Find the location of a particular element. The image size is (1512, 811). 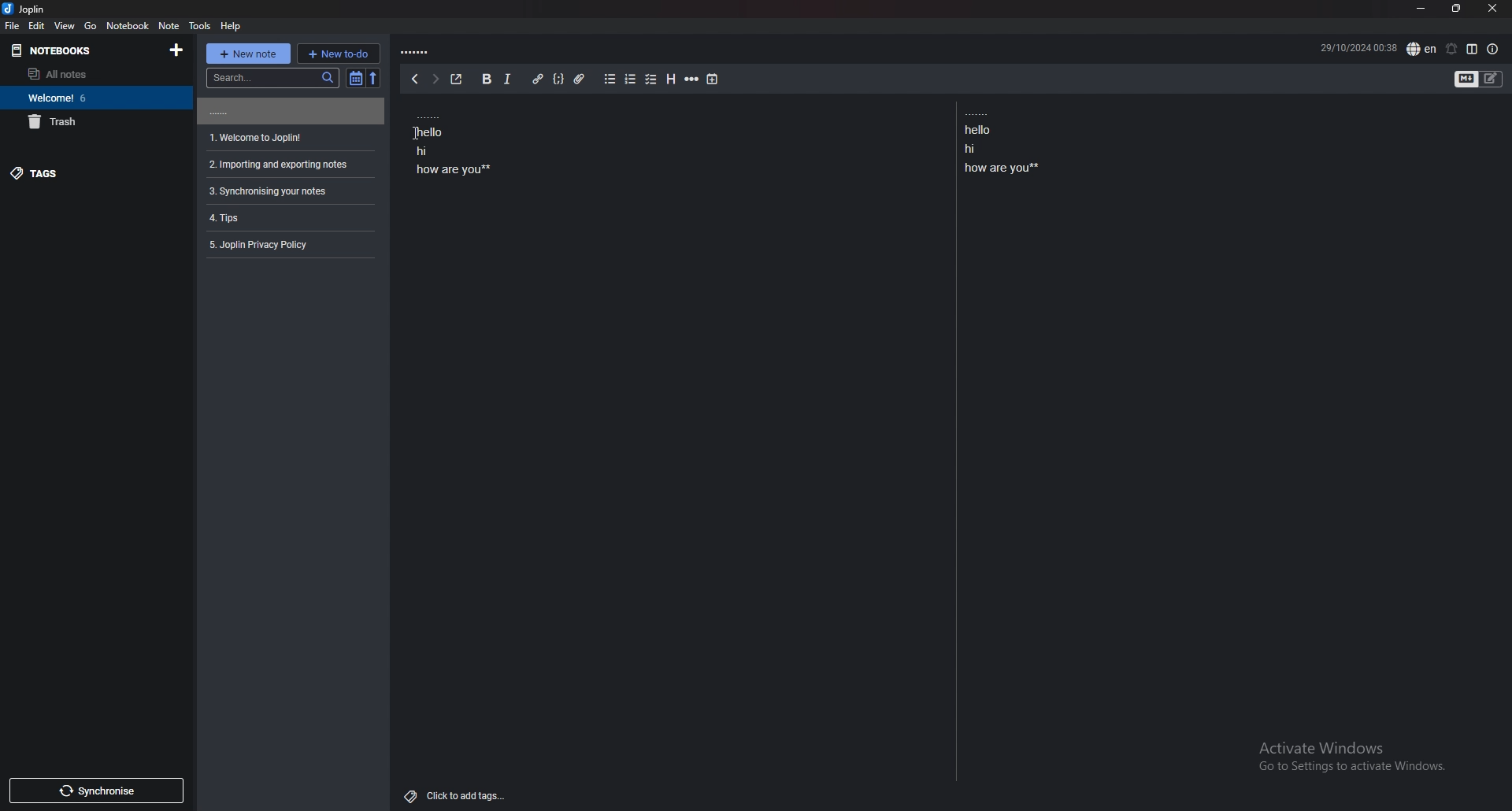

note properties is located at coordinates (1492, 50).